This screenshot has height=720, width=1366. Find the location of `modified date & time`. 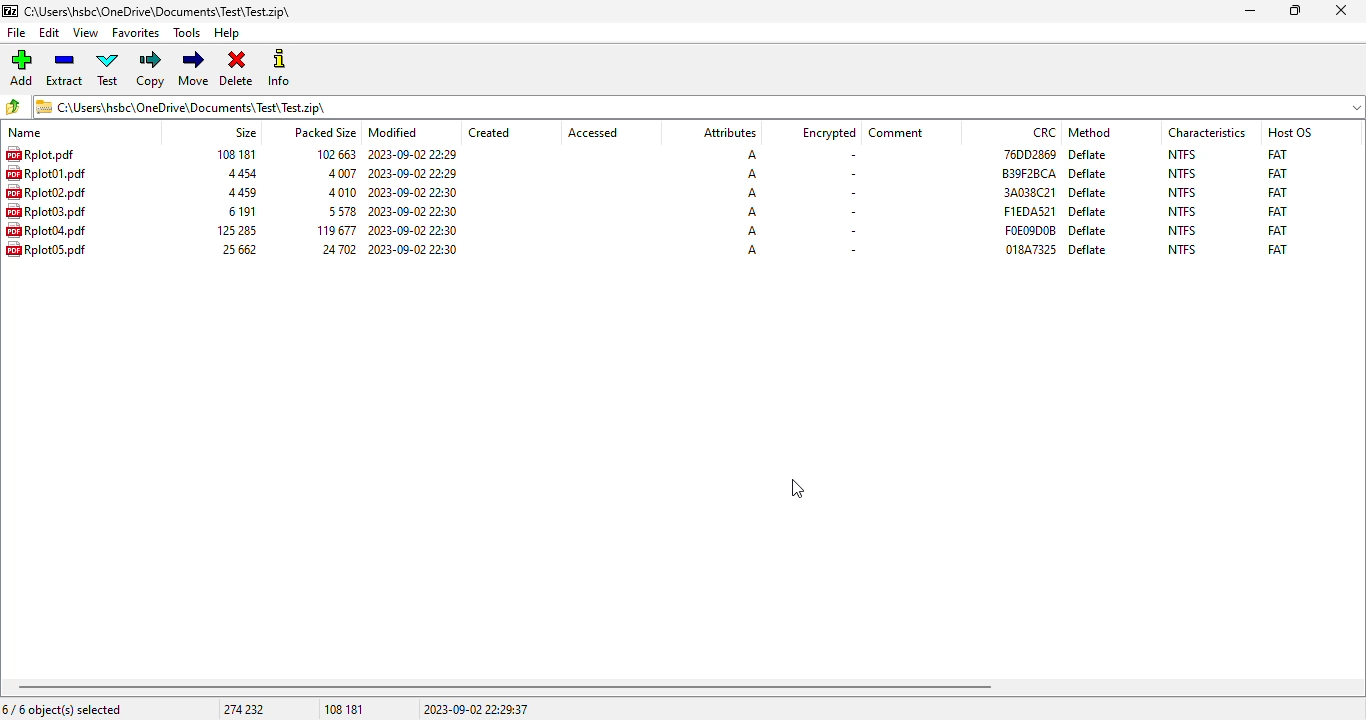

modified date & time is located at coordinates (414, 211).